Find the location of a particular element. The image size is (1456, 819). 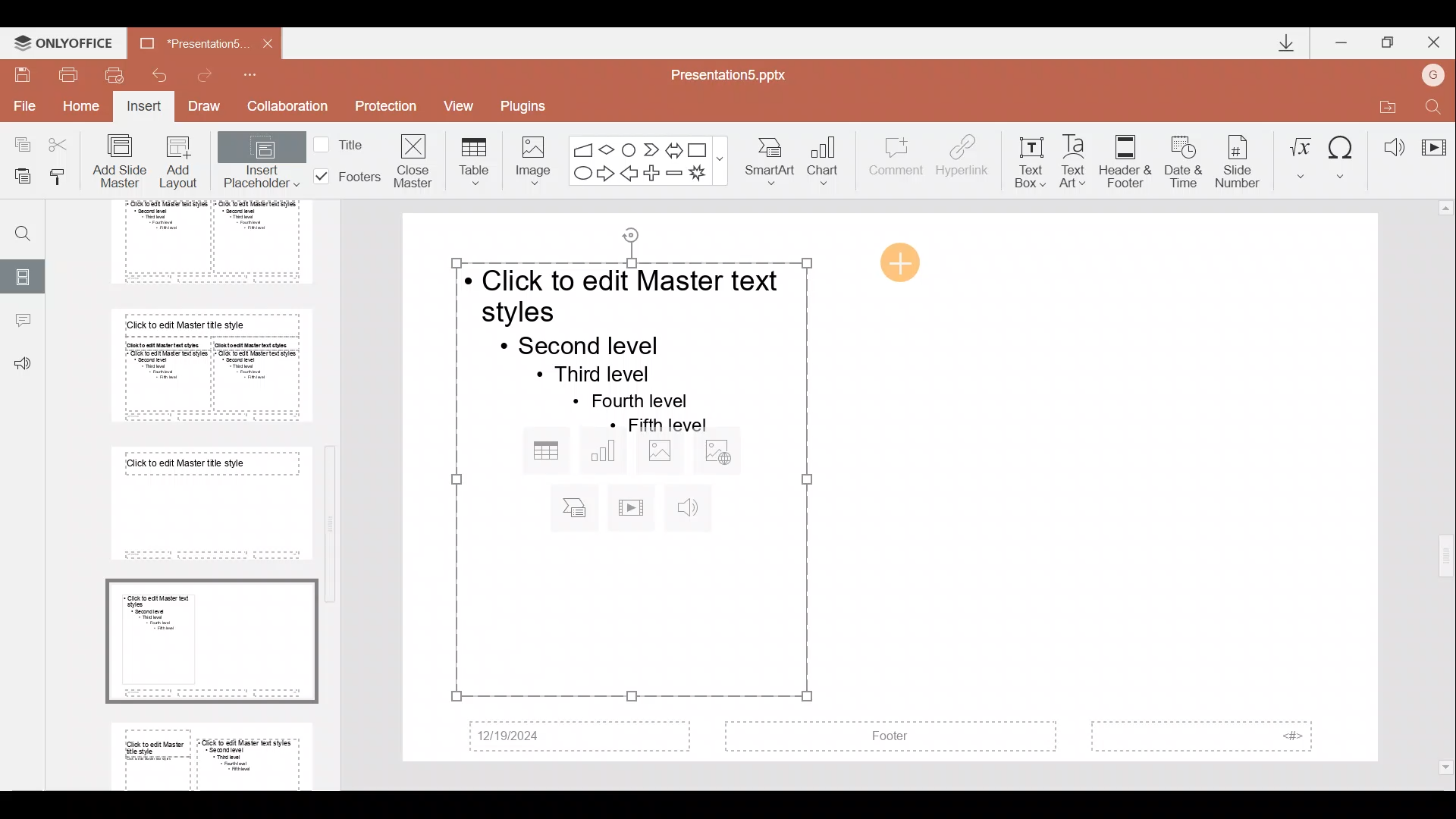

Minus is located at coordinates (675, 173).